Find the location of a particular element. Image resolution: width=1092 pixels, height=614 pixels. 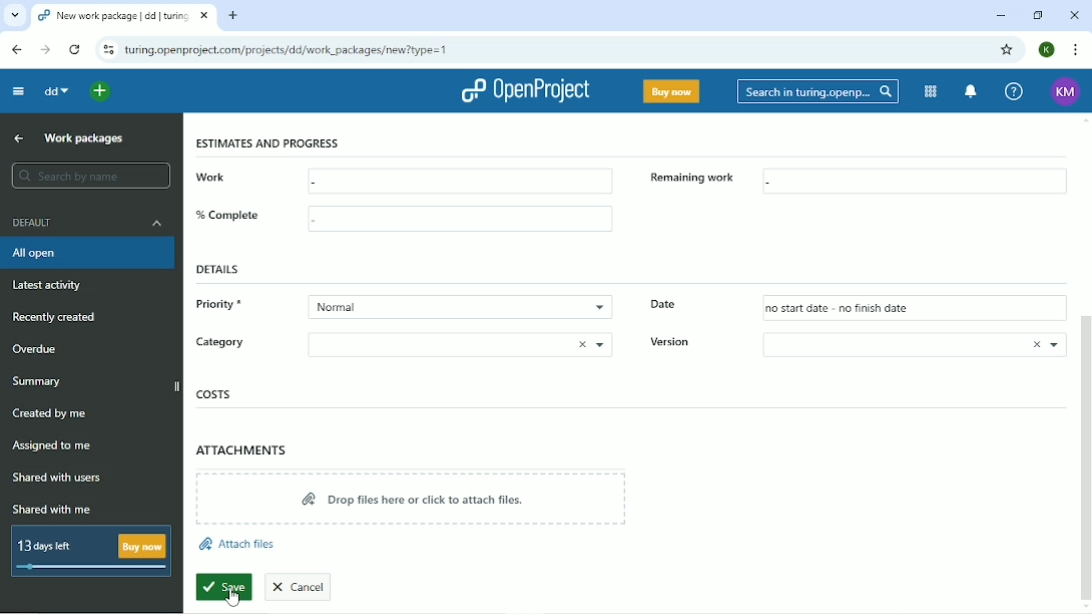

Back is located at coordinates (17, 49).